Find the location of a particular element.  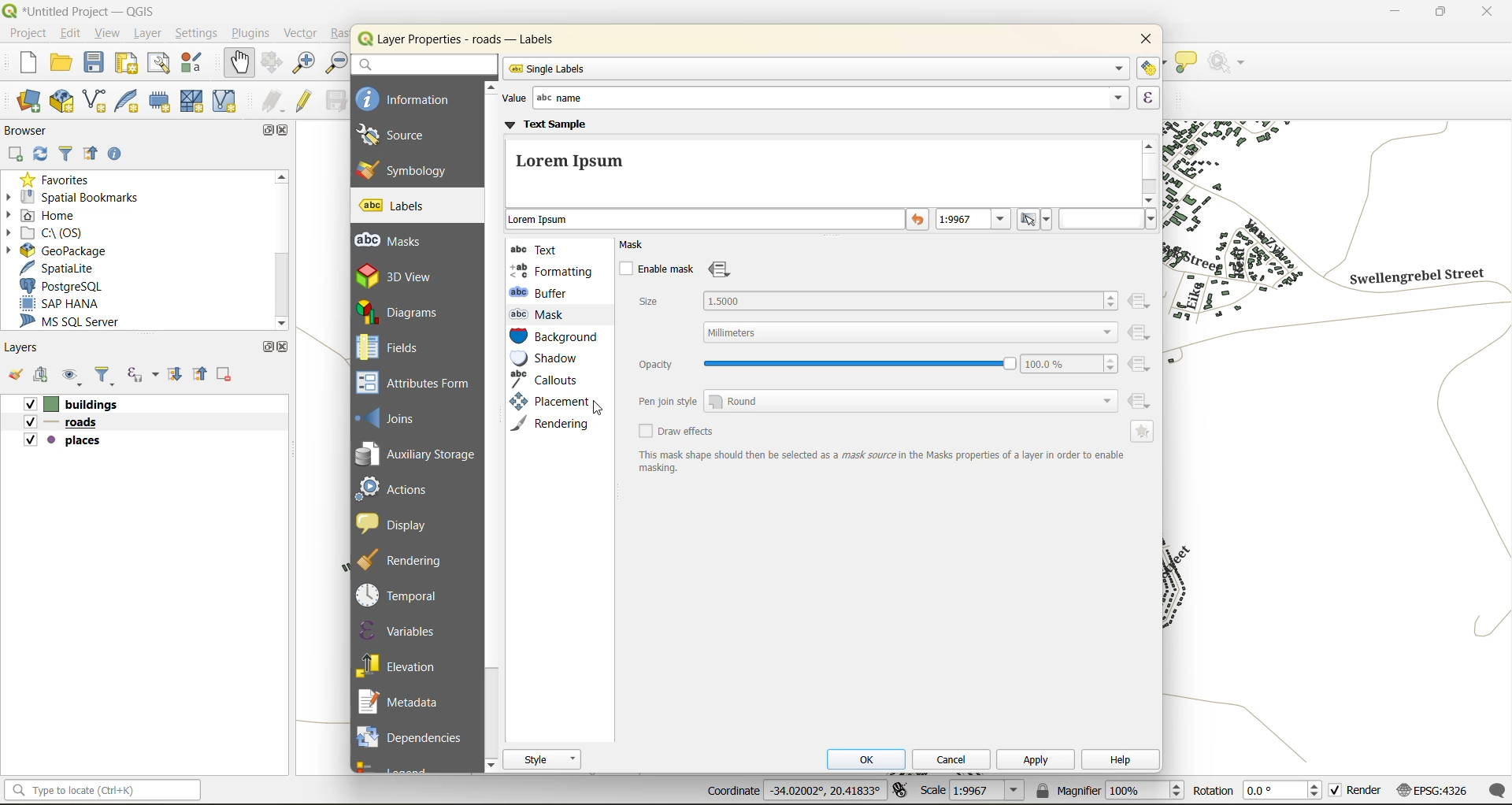

close is located at coordinates (1483, 13).